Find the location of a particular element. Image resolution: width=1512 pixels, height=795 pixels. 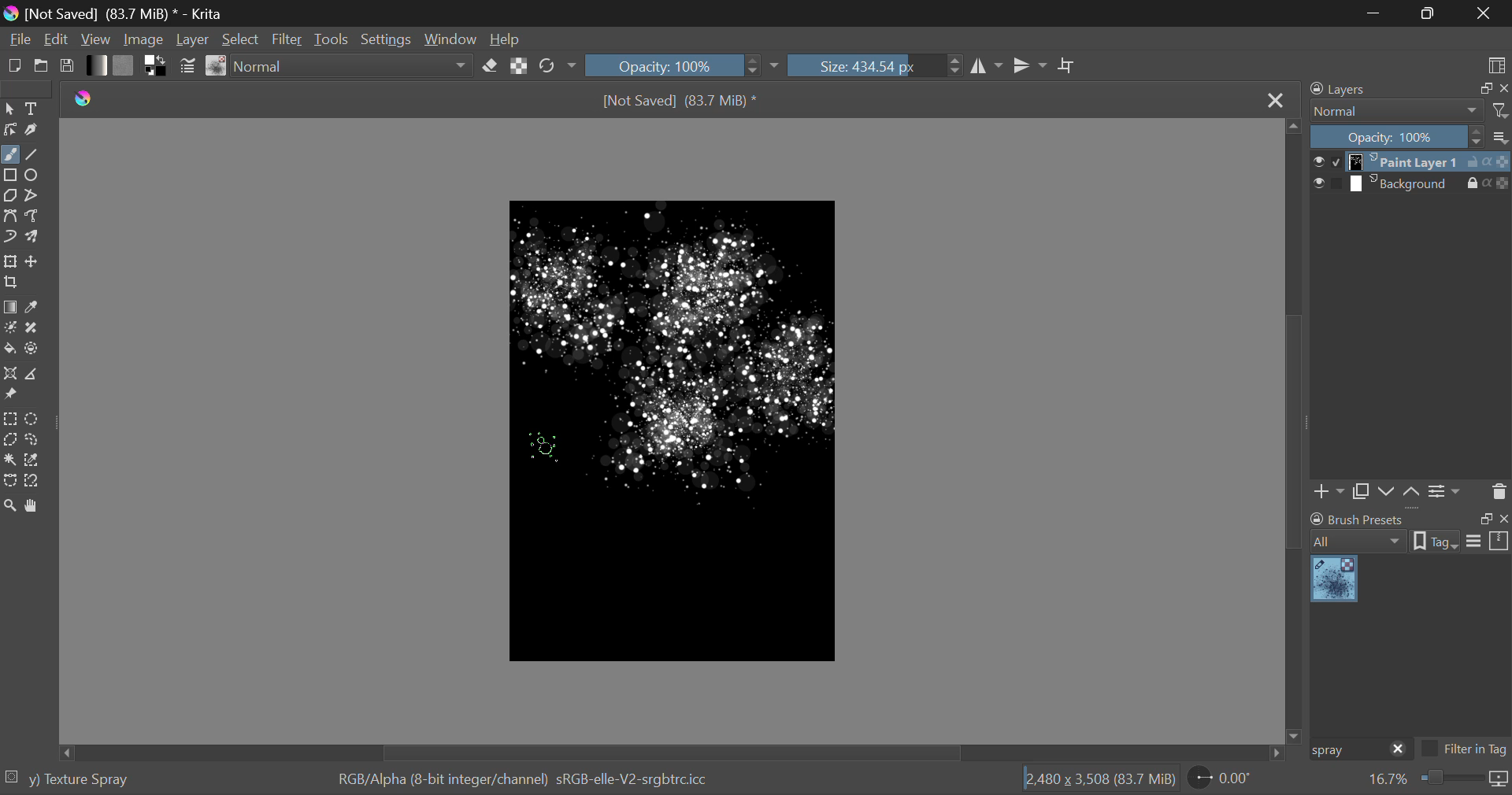

Pan is located at coordinates (35, 507).